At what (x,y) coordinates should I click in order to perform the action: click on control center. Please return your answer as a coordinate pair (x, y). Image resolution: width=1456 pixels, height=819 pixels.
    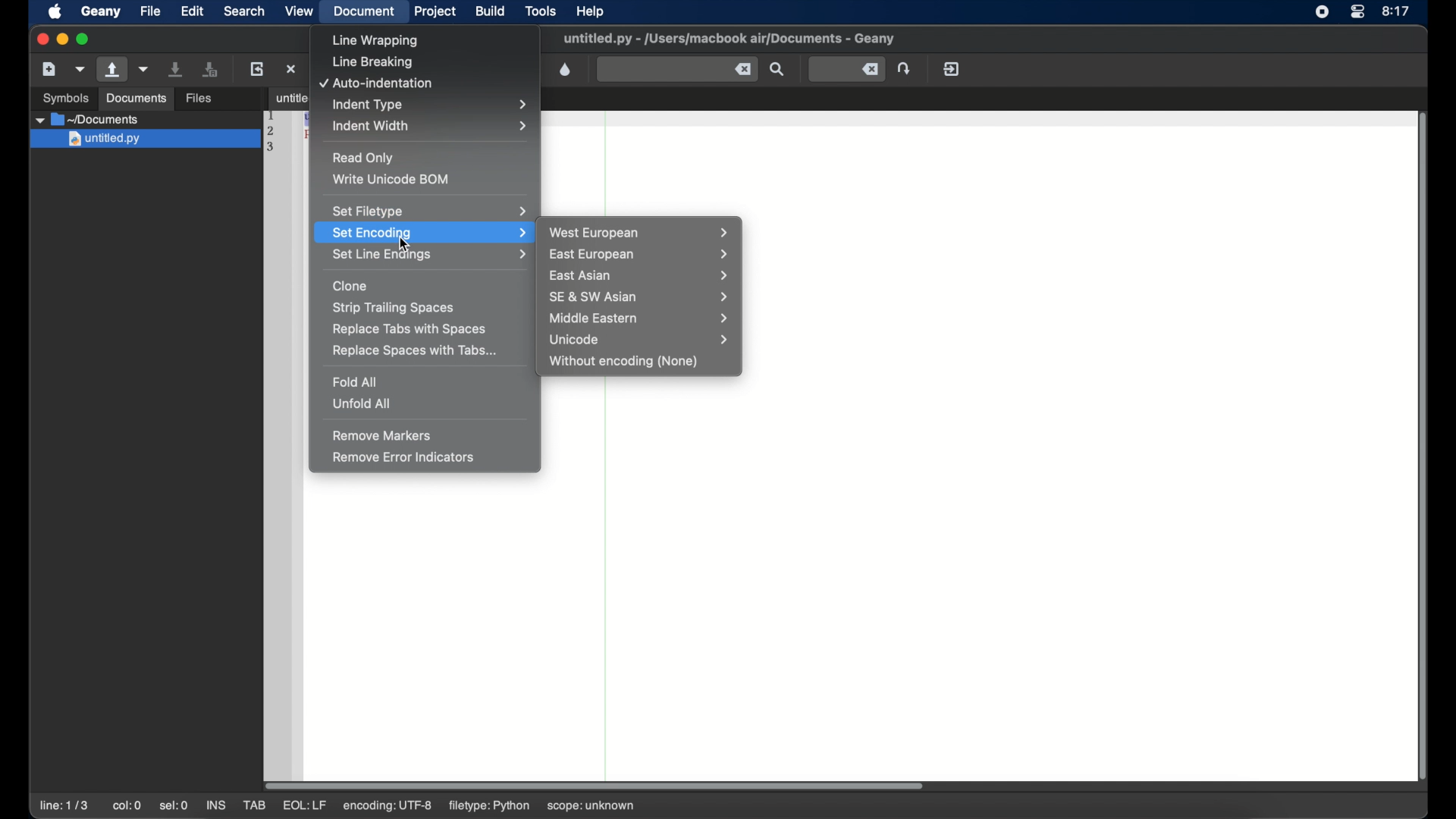
    Looking at the image, I should click on (1357, 12).